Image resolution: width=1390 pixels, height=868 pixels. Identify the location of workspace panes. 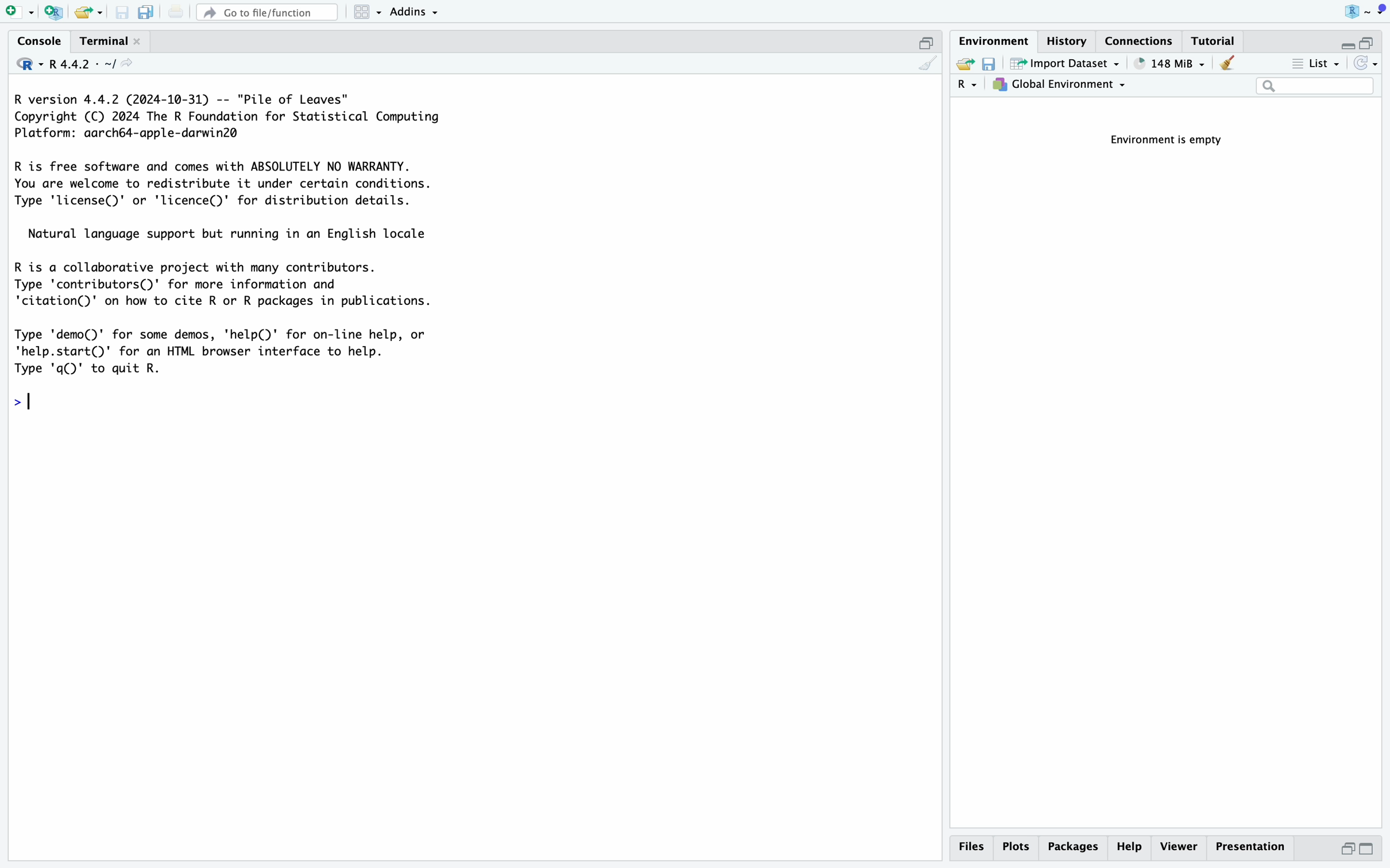
(368, 12).